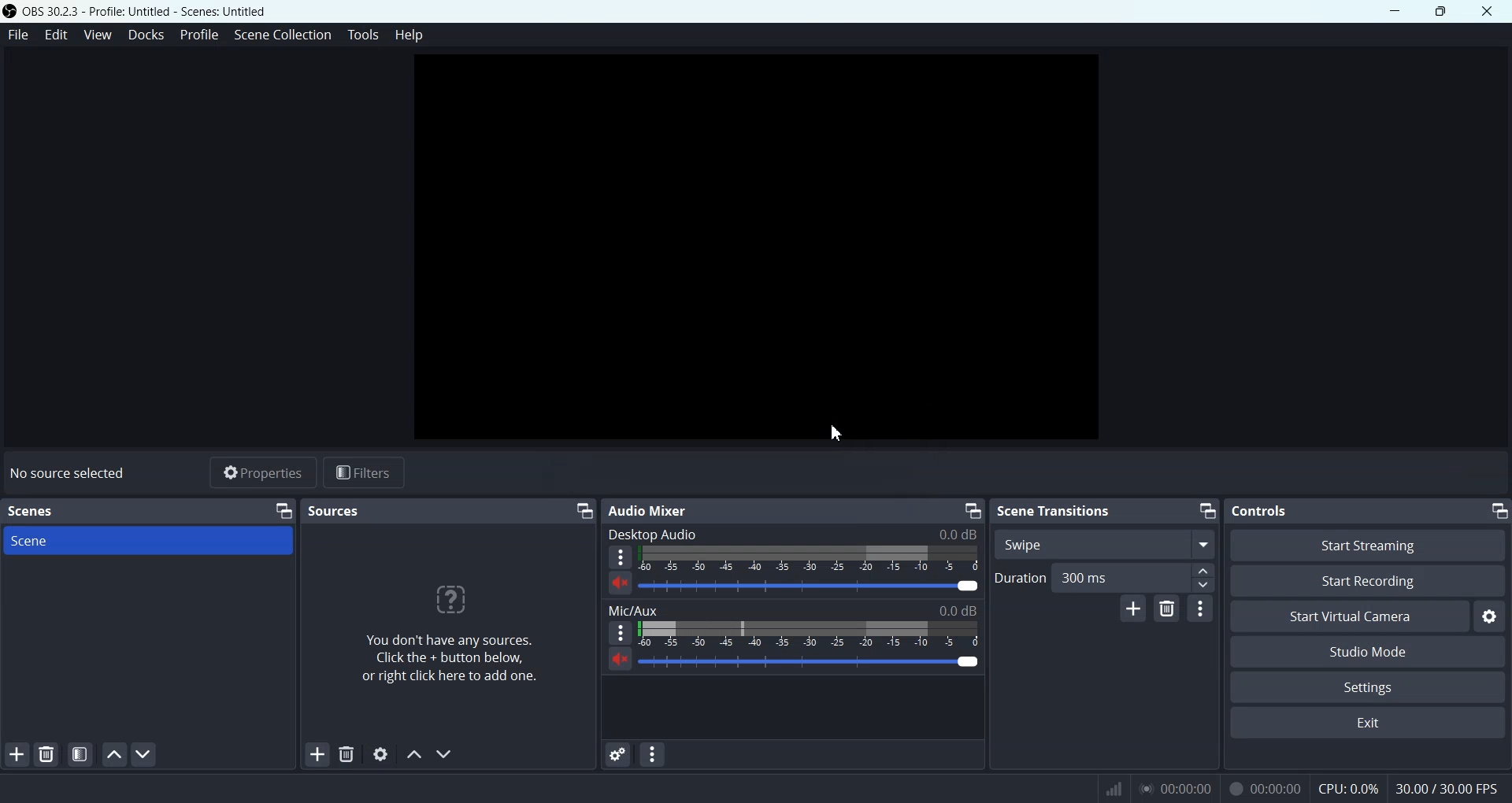 The height and width of the screenshot is (803, 1512). Describe the element at coordinates (146, 35) in the screenshot. I see `Docks` at that location.